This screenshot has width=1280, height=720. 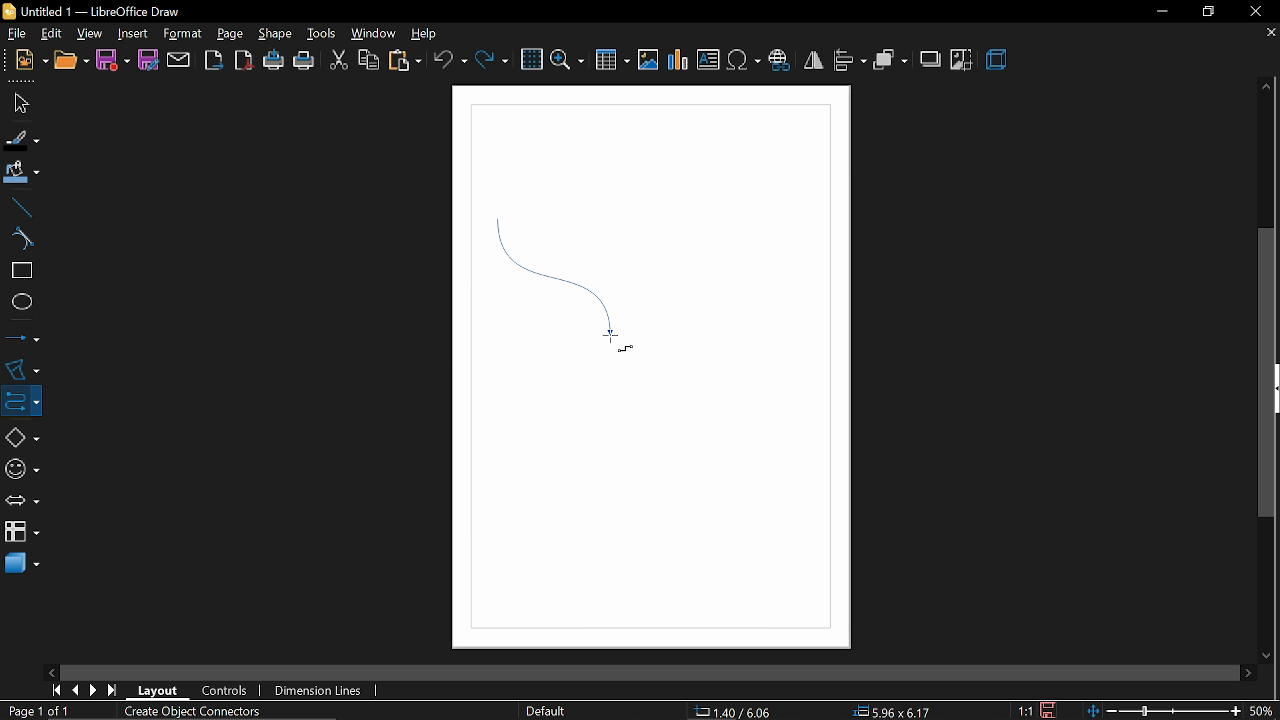 What do you see at coordinates (44, 711) in the screenshot?
I see `Page 1 of 1` at bounding box center [44, 711].